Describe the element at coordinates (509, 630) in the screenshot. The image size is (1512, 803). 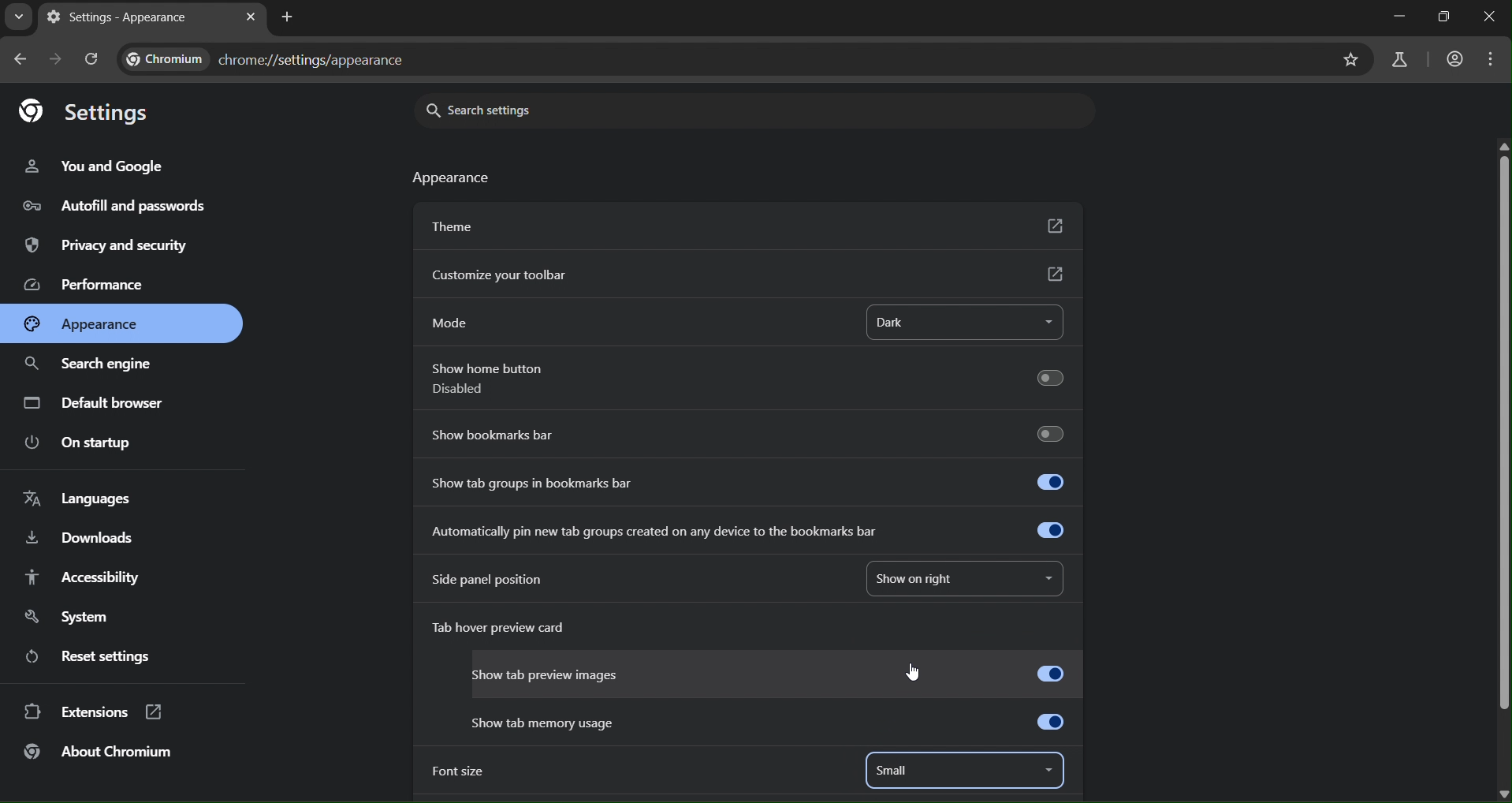
I see `tab hover preview card` at that location.